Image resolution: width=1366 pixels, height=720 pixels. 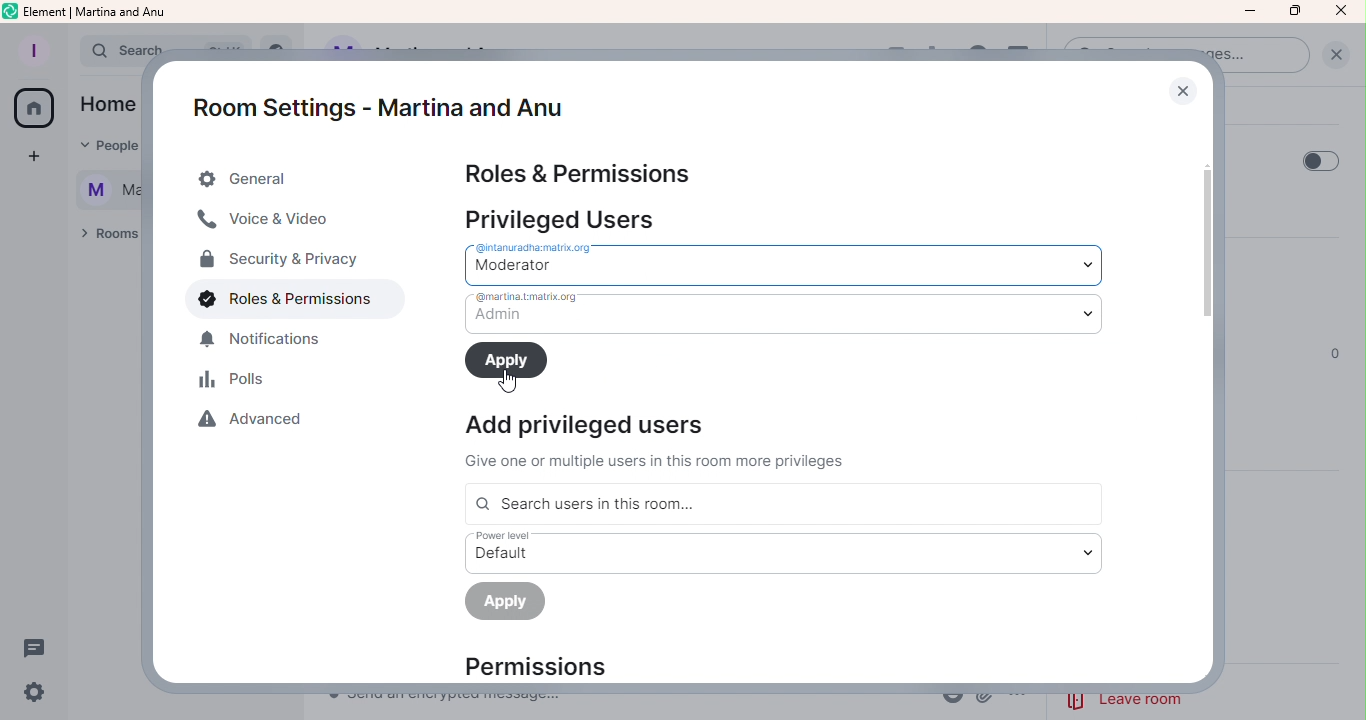 What do you see at coordinates (272, 344) in the screenshot?
I see `Notifications` at bounding box center [272, 344].